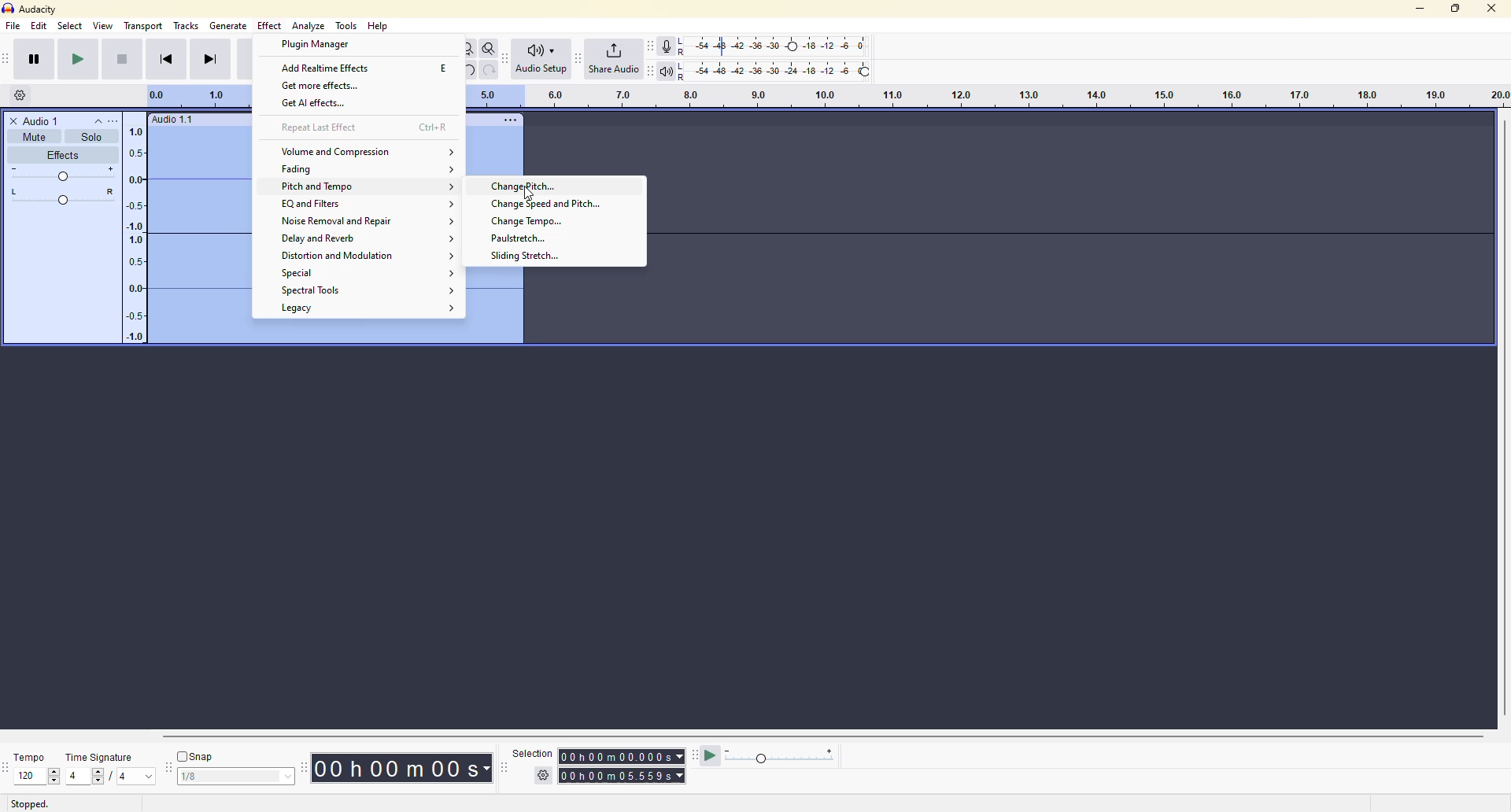 The image size is (1511, 812). I want to click on expand, so click(453, 308).